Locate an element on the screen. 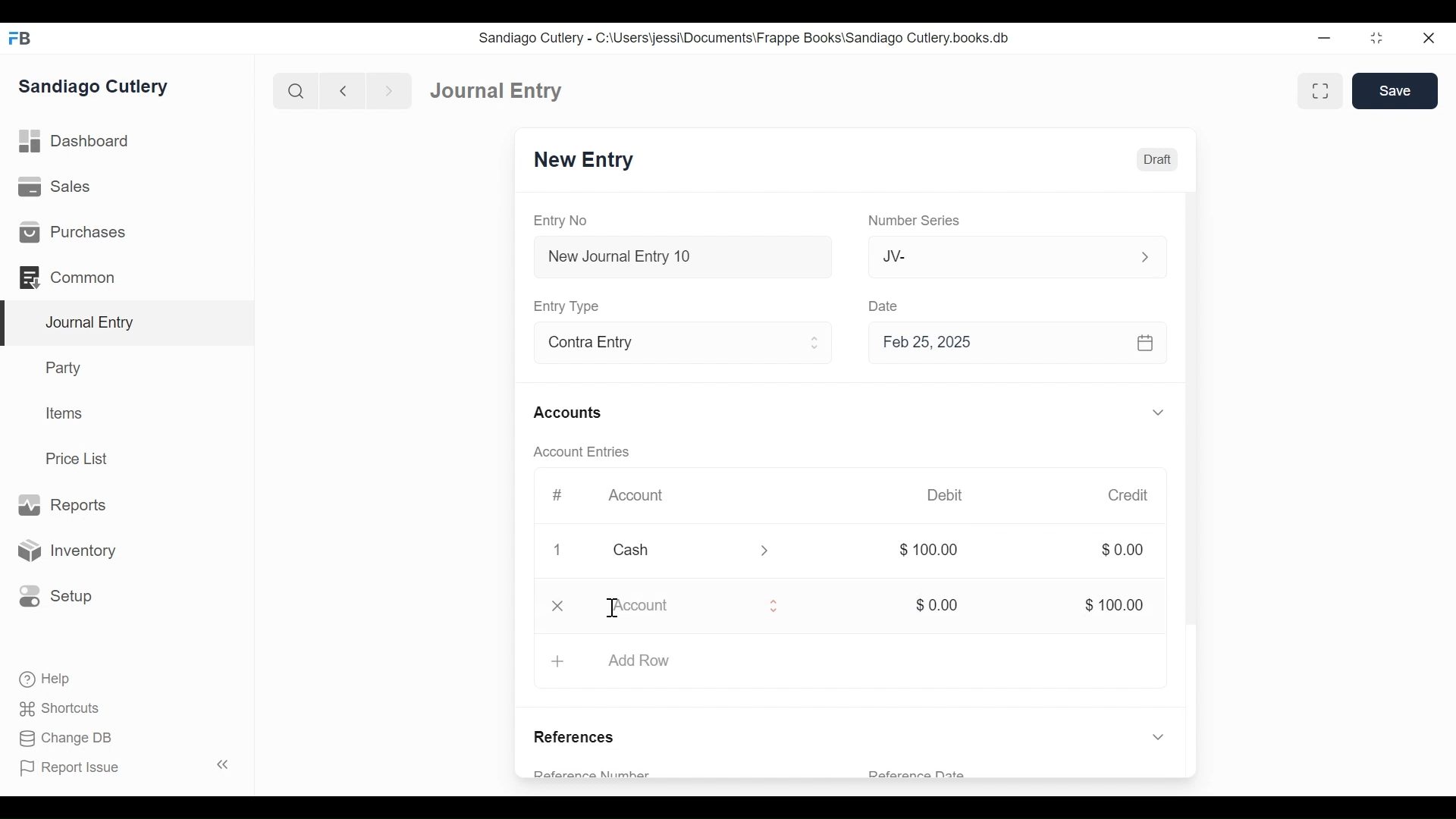  Restore is located at coordinates (1376, 39).